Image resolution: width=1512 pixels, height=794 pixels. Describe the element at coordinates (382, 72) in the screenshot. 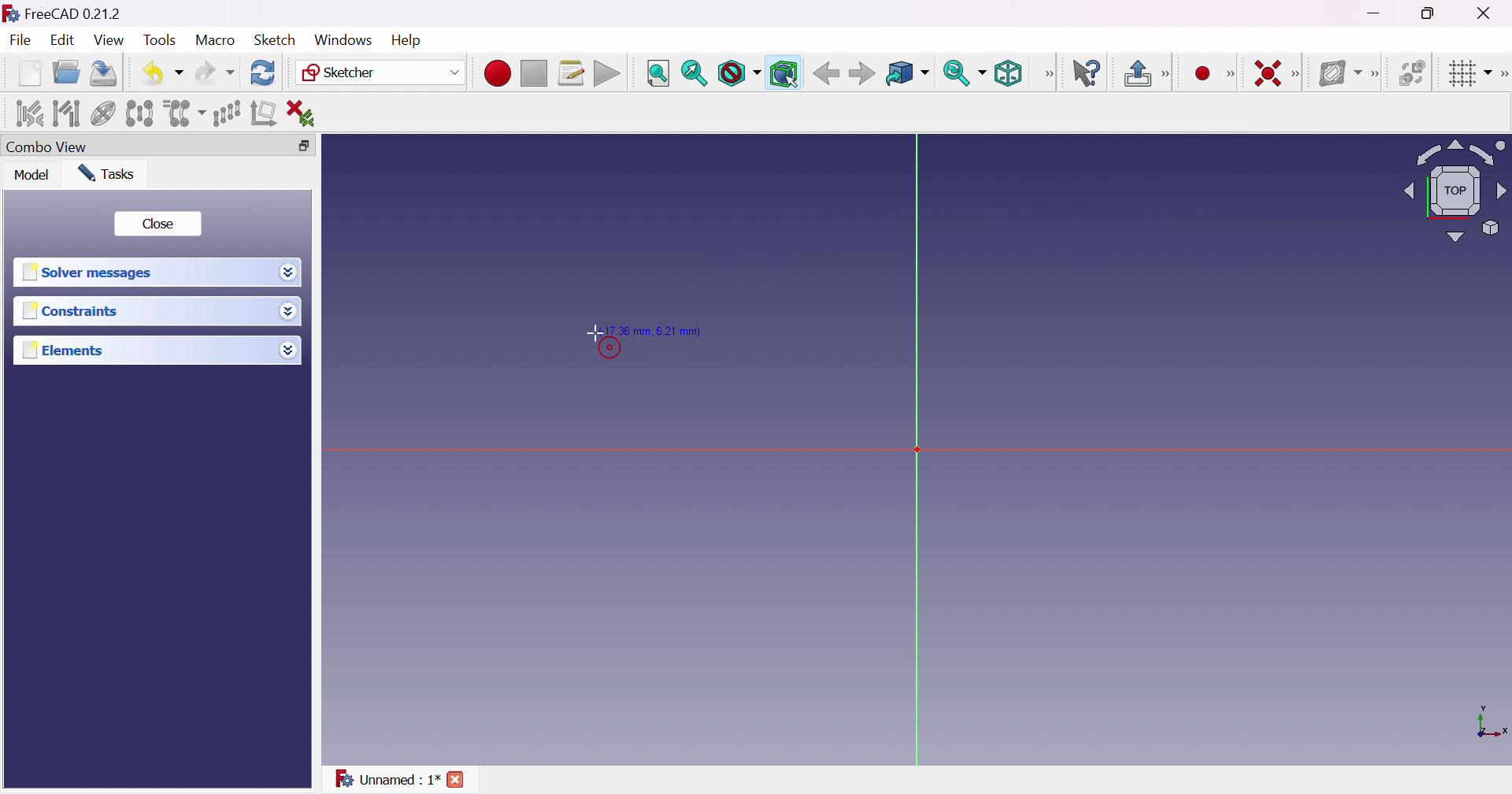

I see `Sketcher` at that location.